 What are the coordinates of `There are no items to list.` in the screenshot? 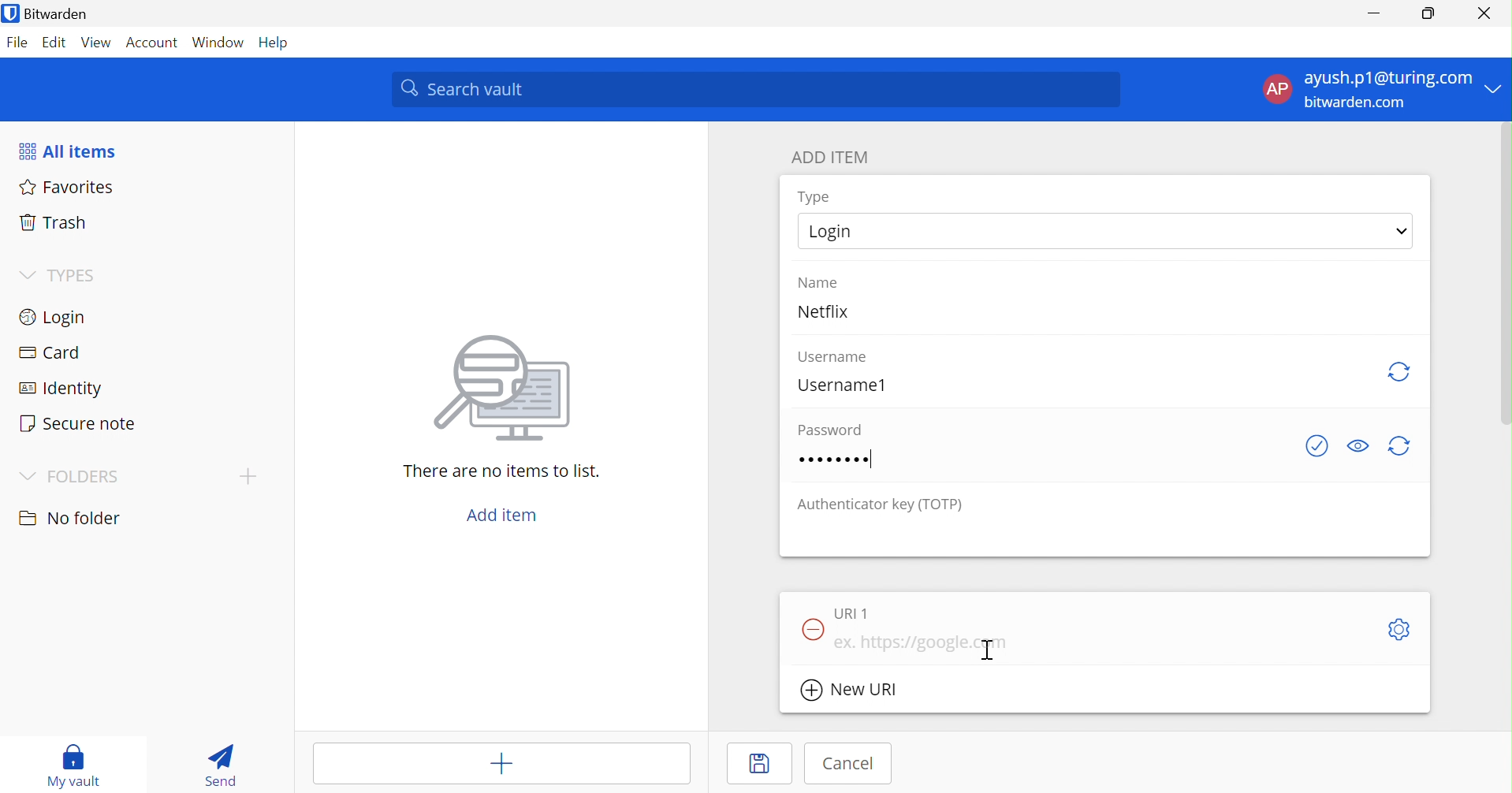 It's located at (498, 471).